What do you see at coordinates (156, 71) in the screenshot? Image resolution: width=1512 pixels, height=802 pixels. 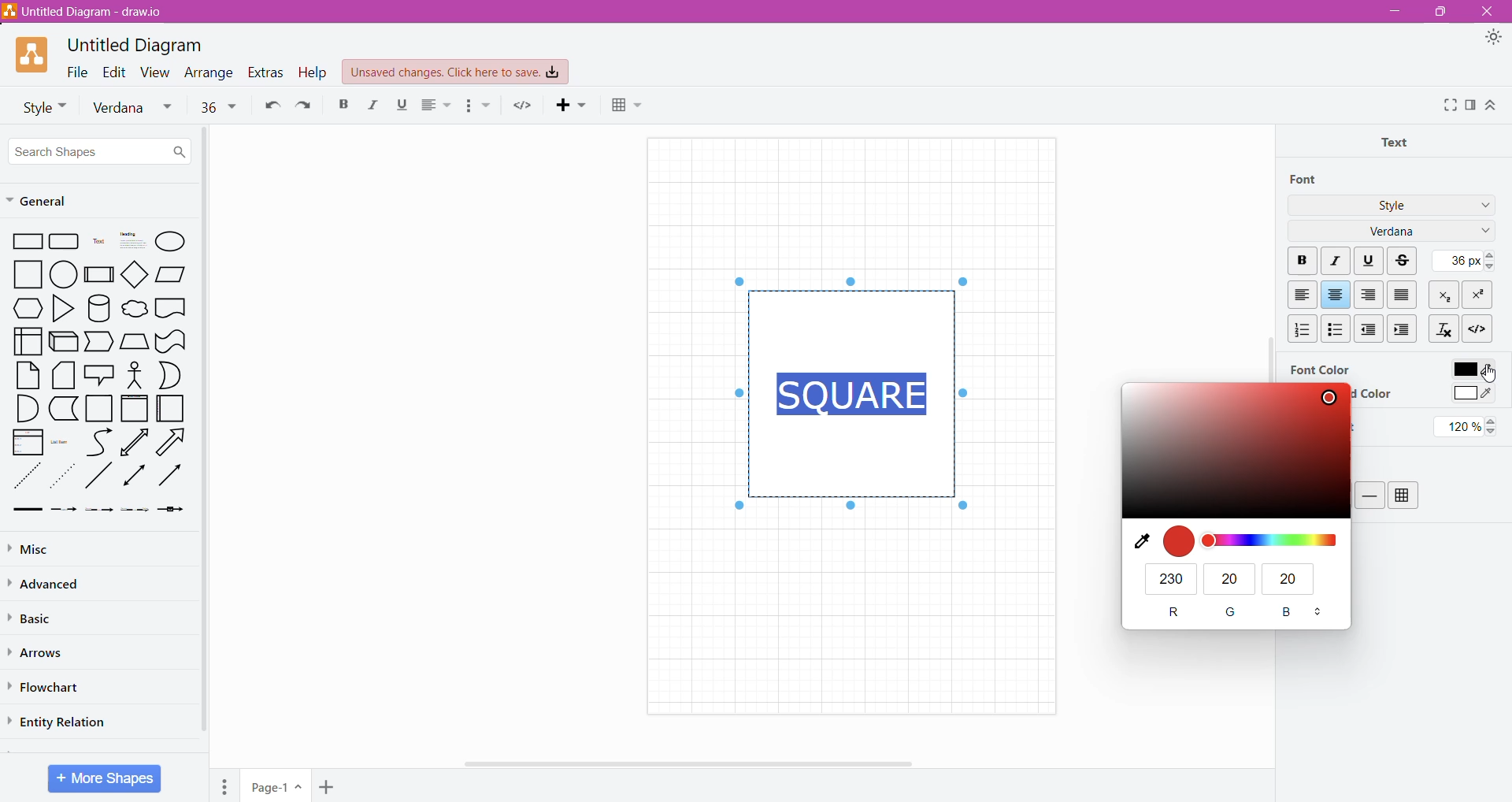 I see `View` at bounding box center [156, 71].